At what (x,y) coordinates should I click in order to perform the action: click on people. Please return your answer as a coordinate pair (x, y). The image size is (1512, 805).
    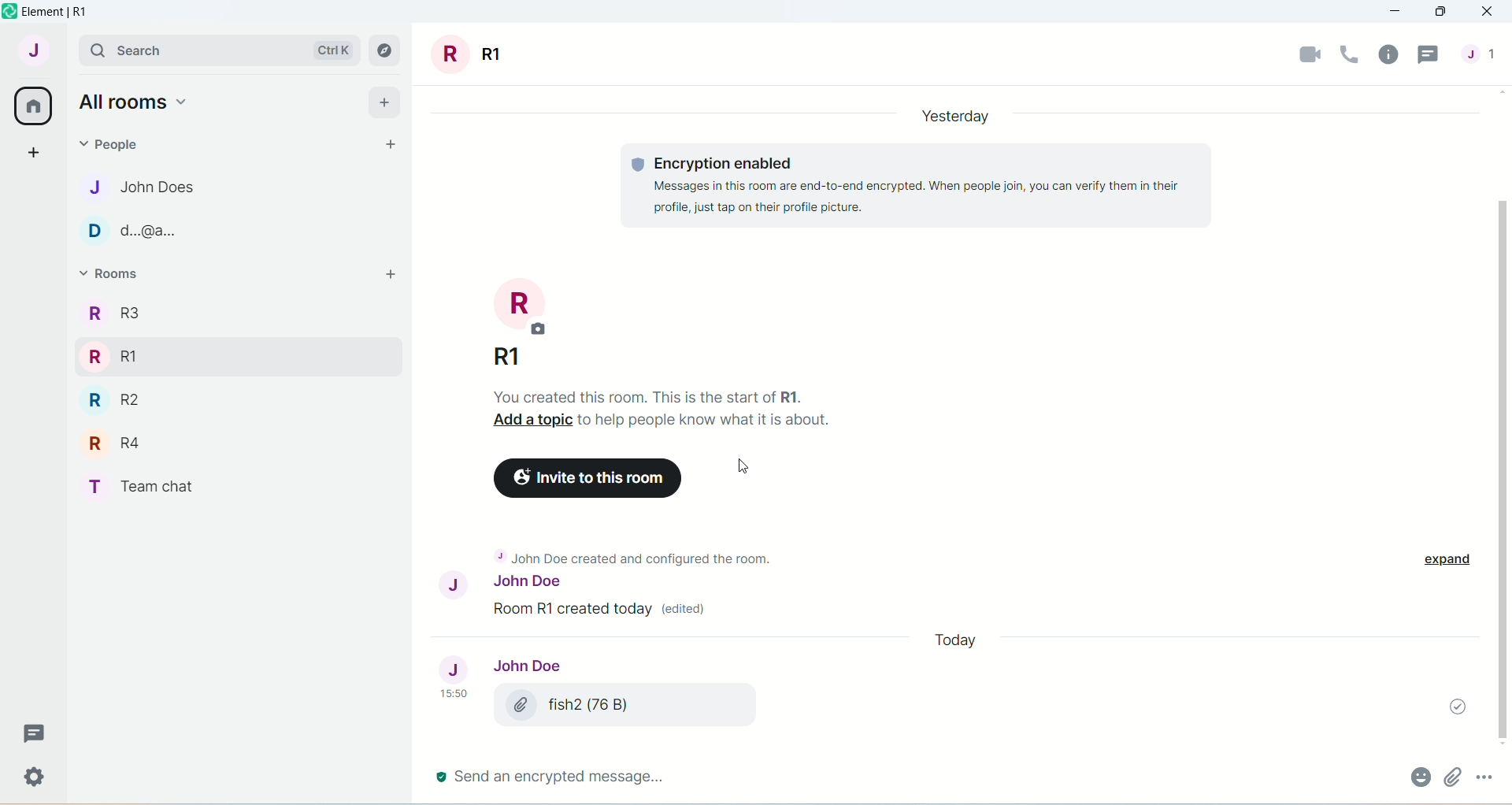
    Looking at the image, I should click on (107, 143).